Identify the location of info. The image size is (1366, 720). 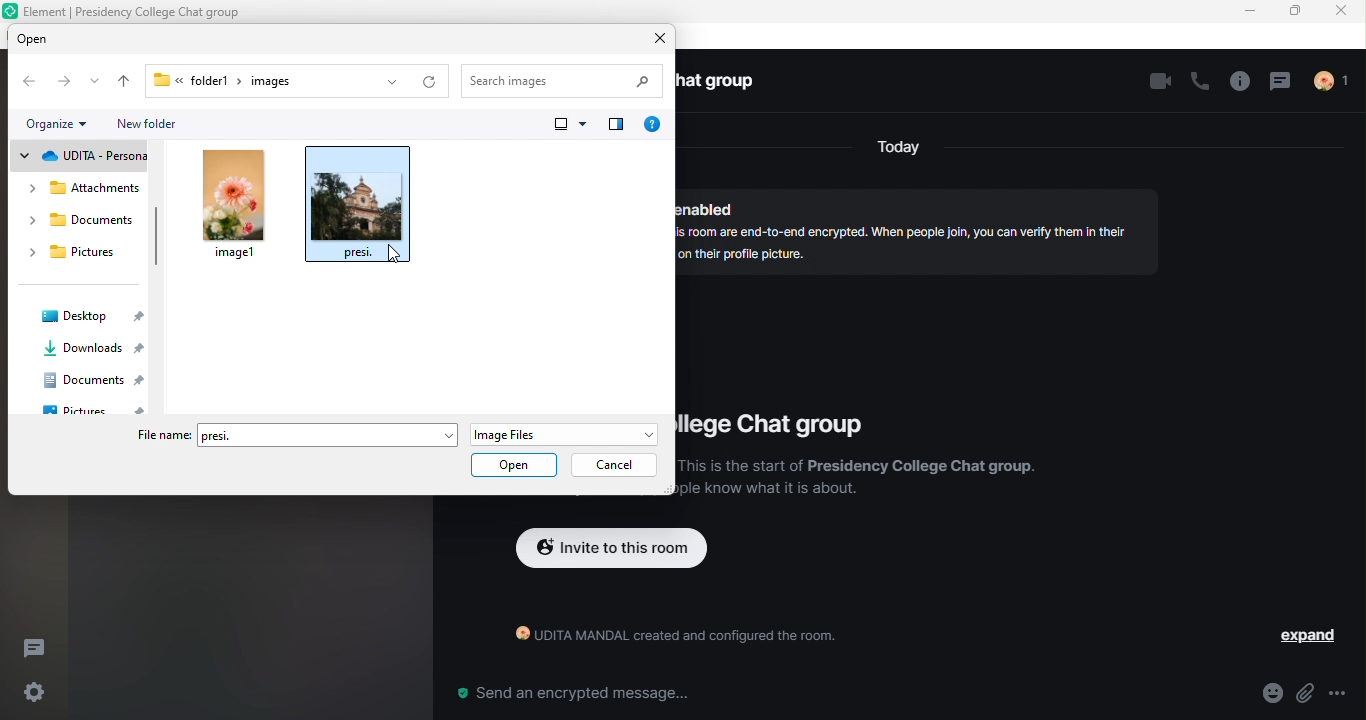
(1238, 82).